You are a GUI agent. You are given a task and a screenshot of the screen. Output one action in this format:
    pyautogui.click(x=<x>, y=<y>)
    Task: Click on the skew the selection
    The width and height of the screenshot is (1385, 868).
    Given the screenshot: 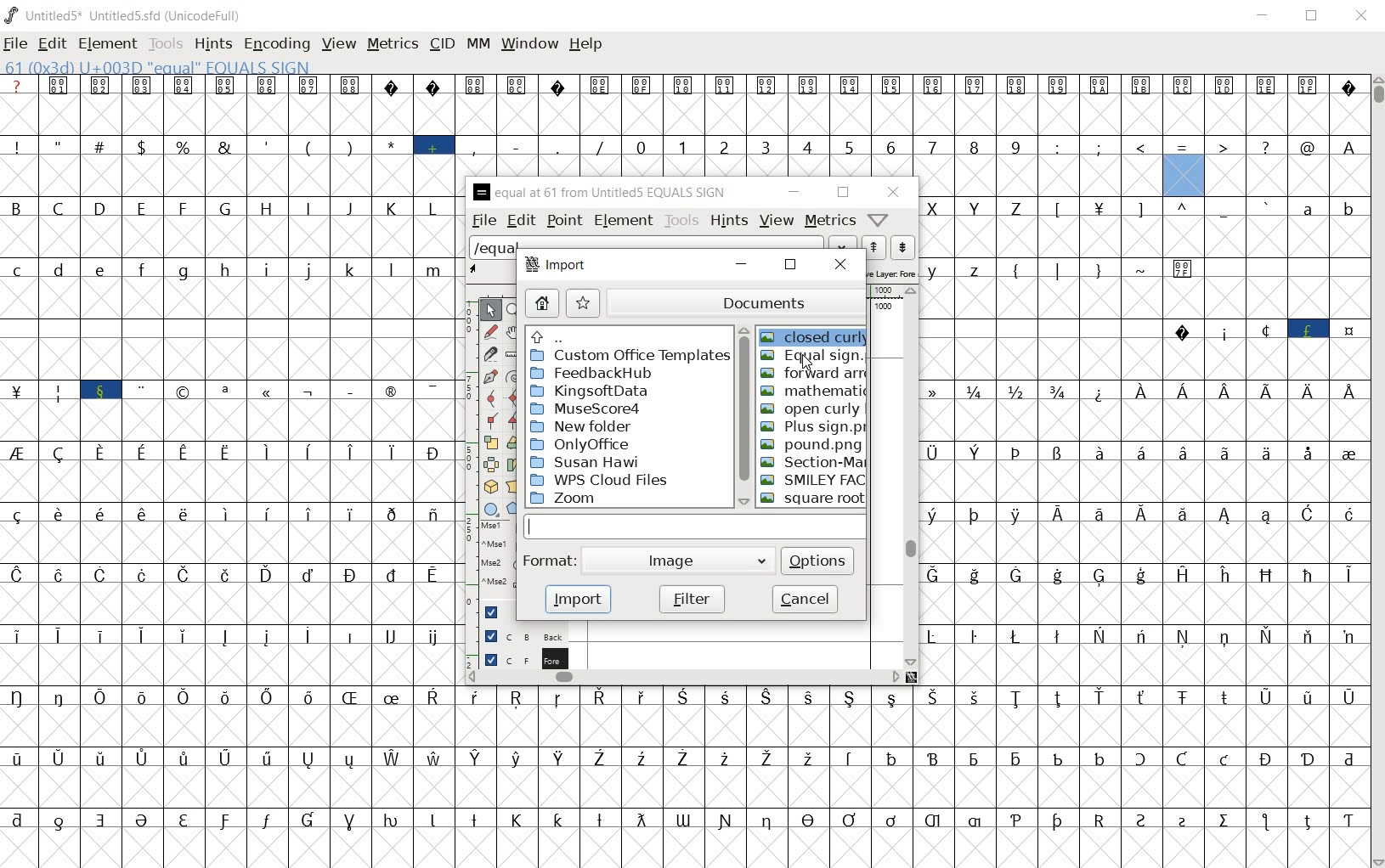 What is the action you would take?
    pyautogui.click(x=512, y=465)
    